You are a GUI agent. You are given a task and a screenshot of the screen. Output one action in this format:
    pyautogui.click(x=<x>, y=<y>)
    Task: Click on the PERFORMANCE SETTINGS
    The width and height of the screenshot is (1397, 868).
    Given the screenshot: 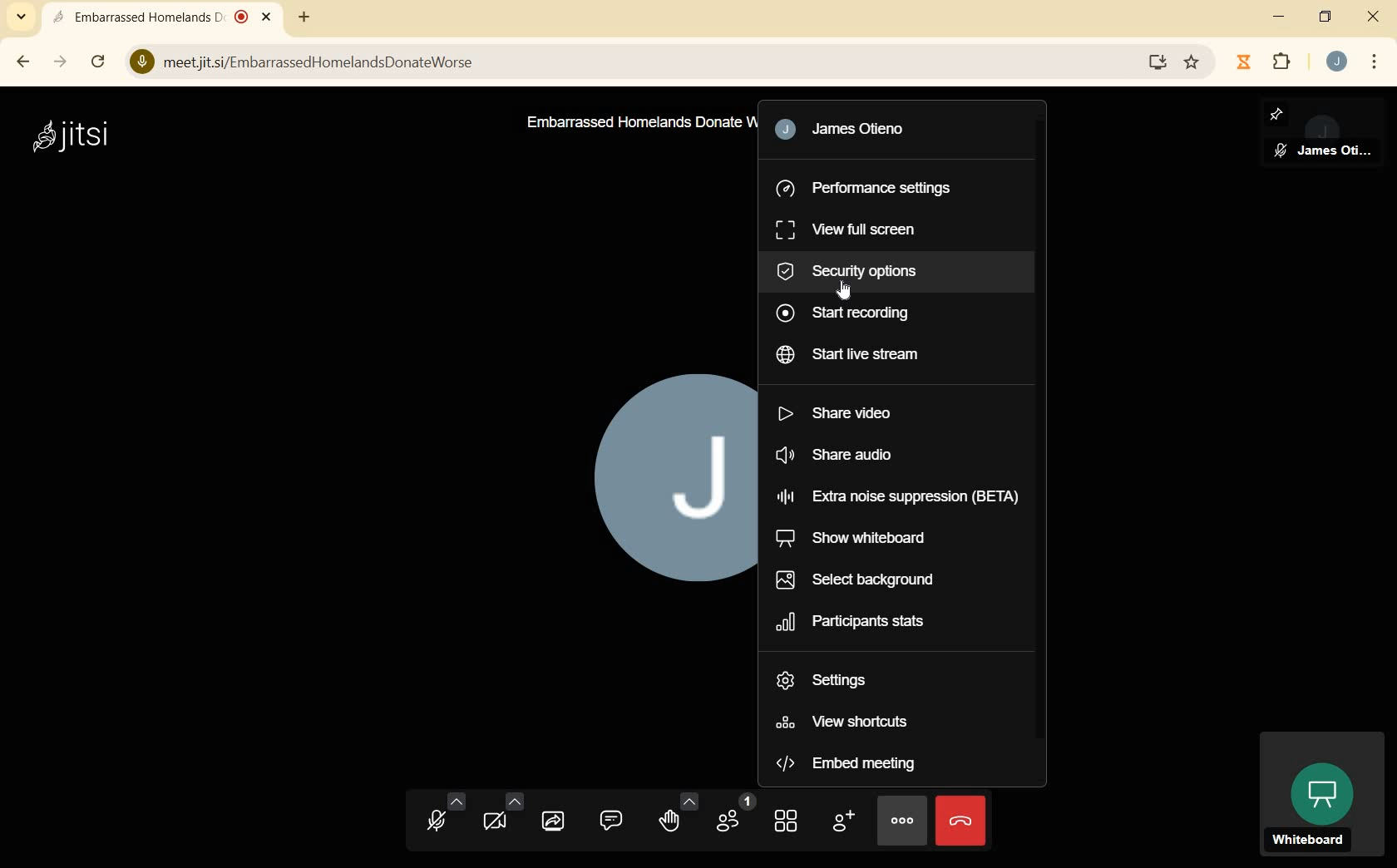 What is the action you would take?
    pyautogui.click(x=868, y=189)
    